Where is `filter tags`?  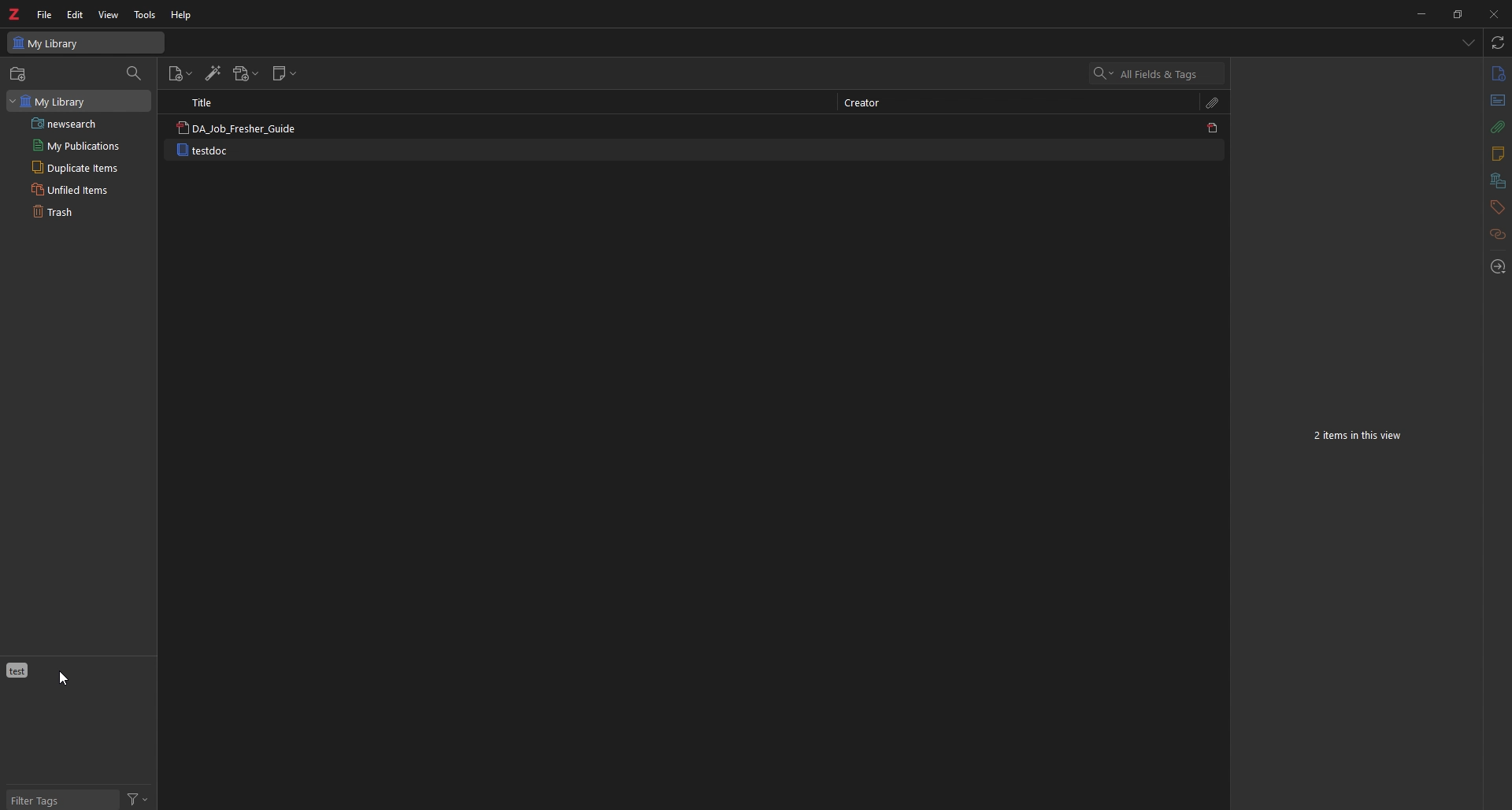 filter tags is located at coordinates (61, 799).